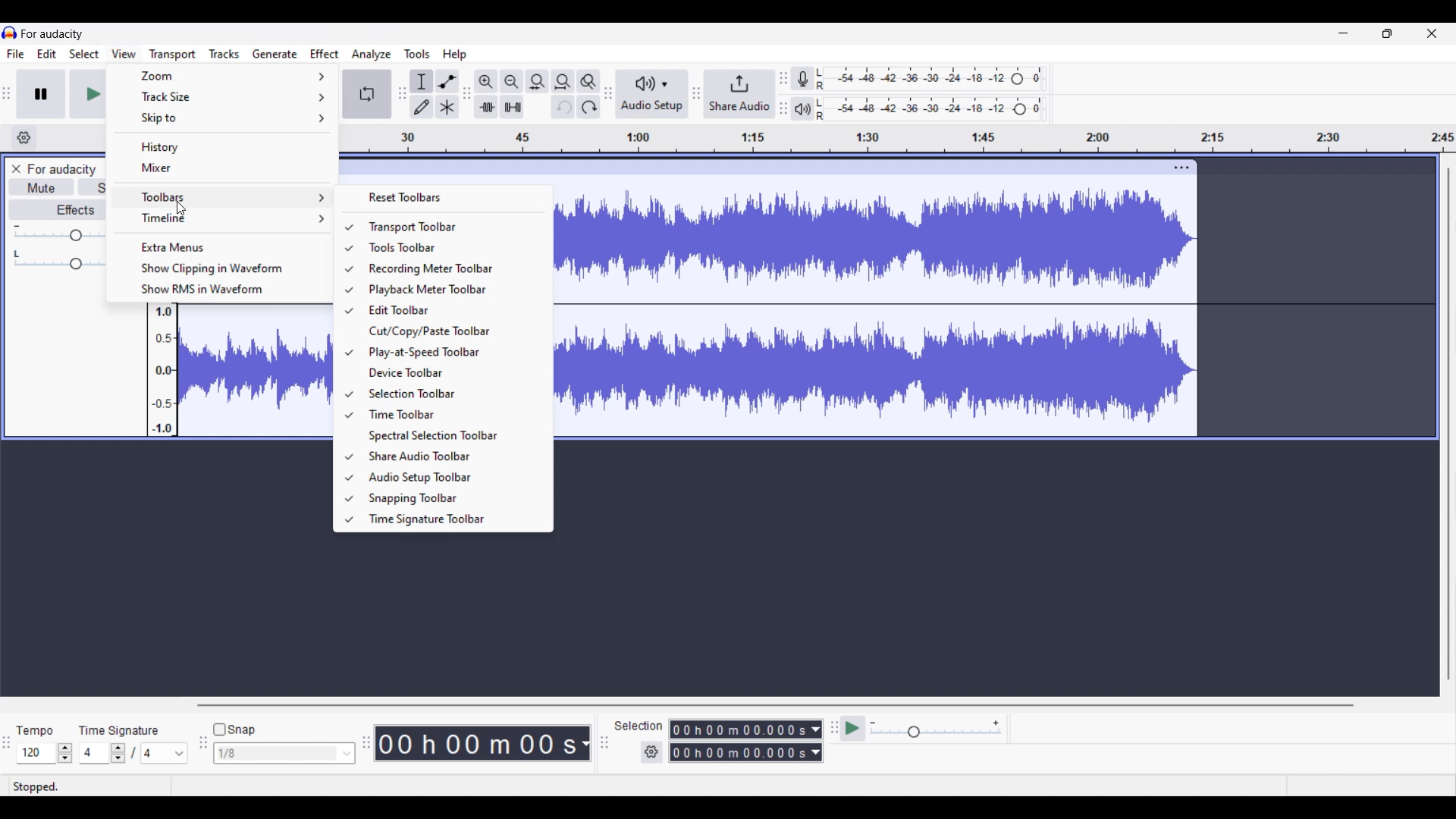 This screenshot has height=819, width=1456. Describe the element at coordinates (41, 187) in the screenshot. I see `Mute` at that location.